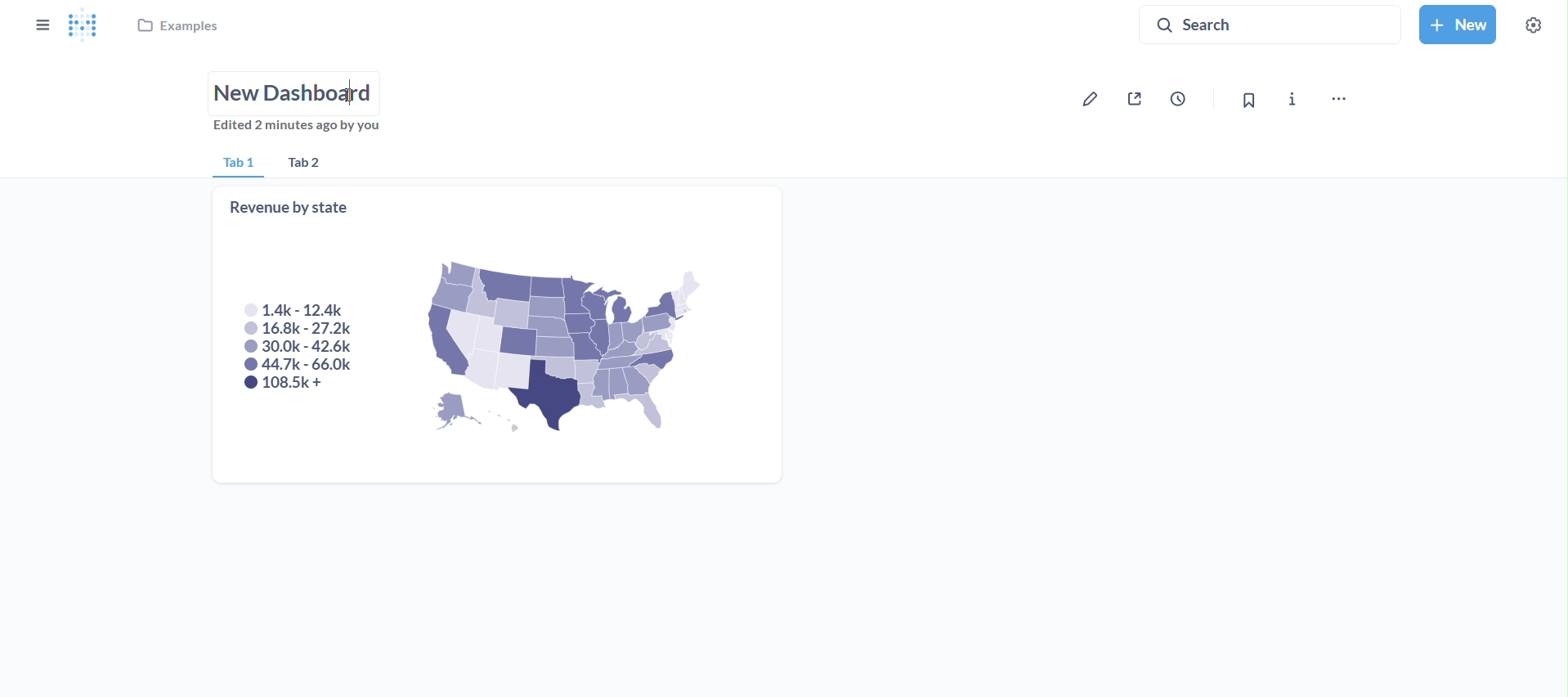 This screenshot has width=1568, height=697. Describe the element at coordinates (1338, 101) in the screenshot. I see `move,trash and more` at that location.